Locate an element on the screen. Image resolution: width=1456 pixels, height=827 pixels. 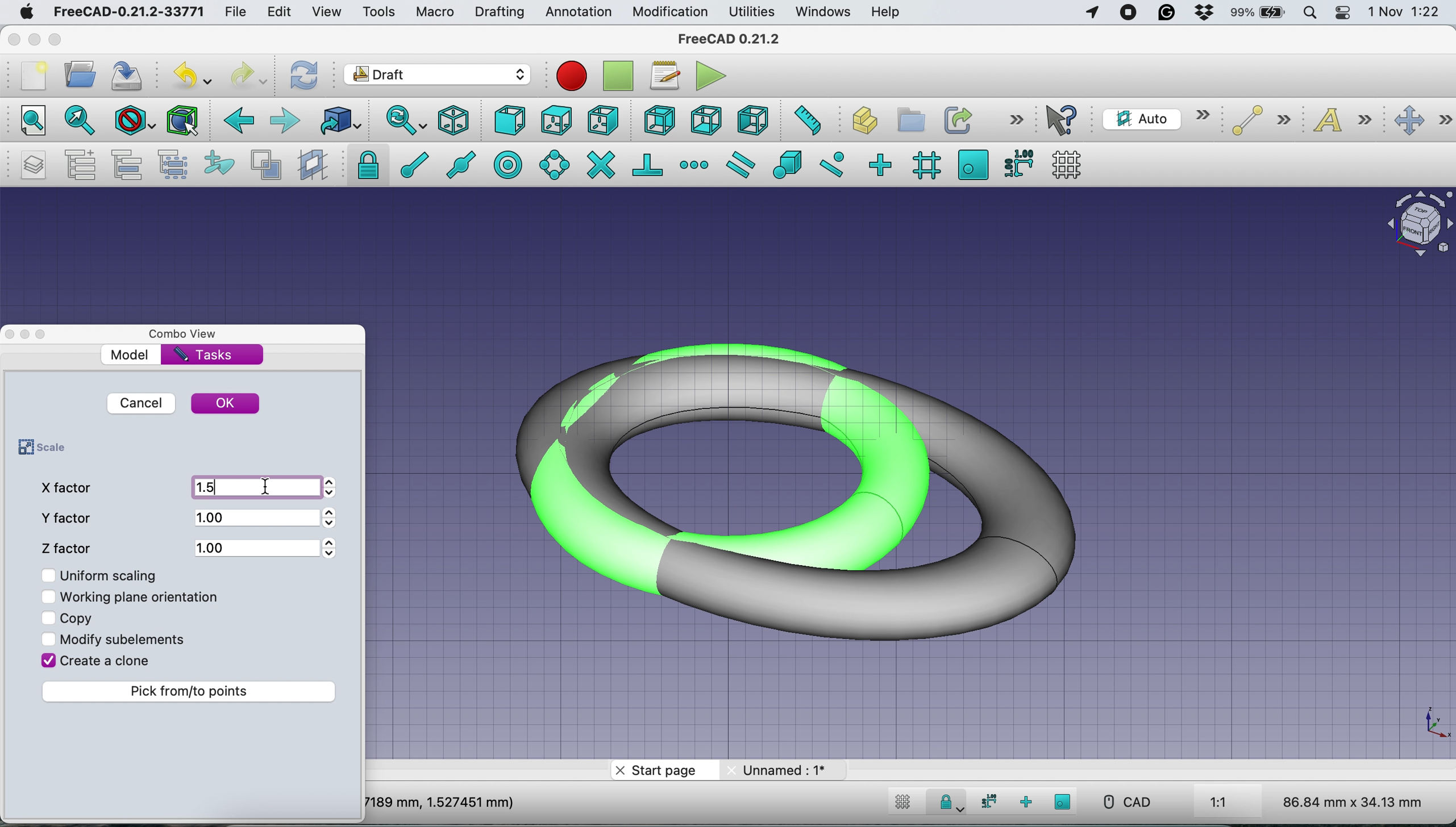
execute macros is located at coordinates (711, 76).